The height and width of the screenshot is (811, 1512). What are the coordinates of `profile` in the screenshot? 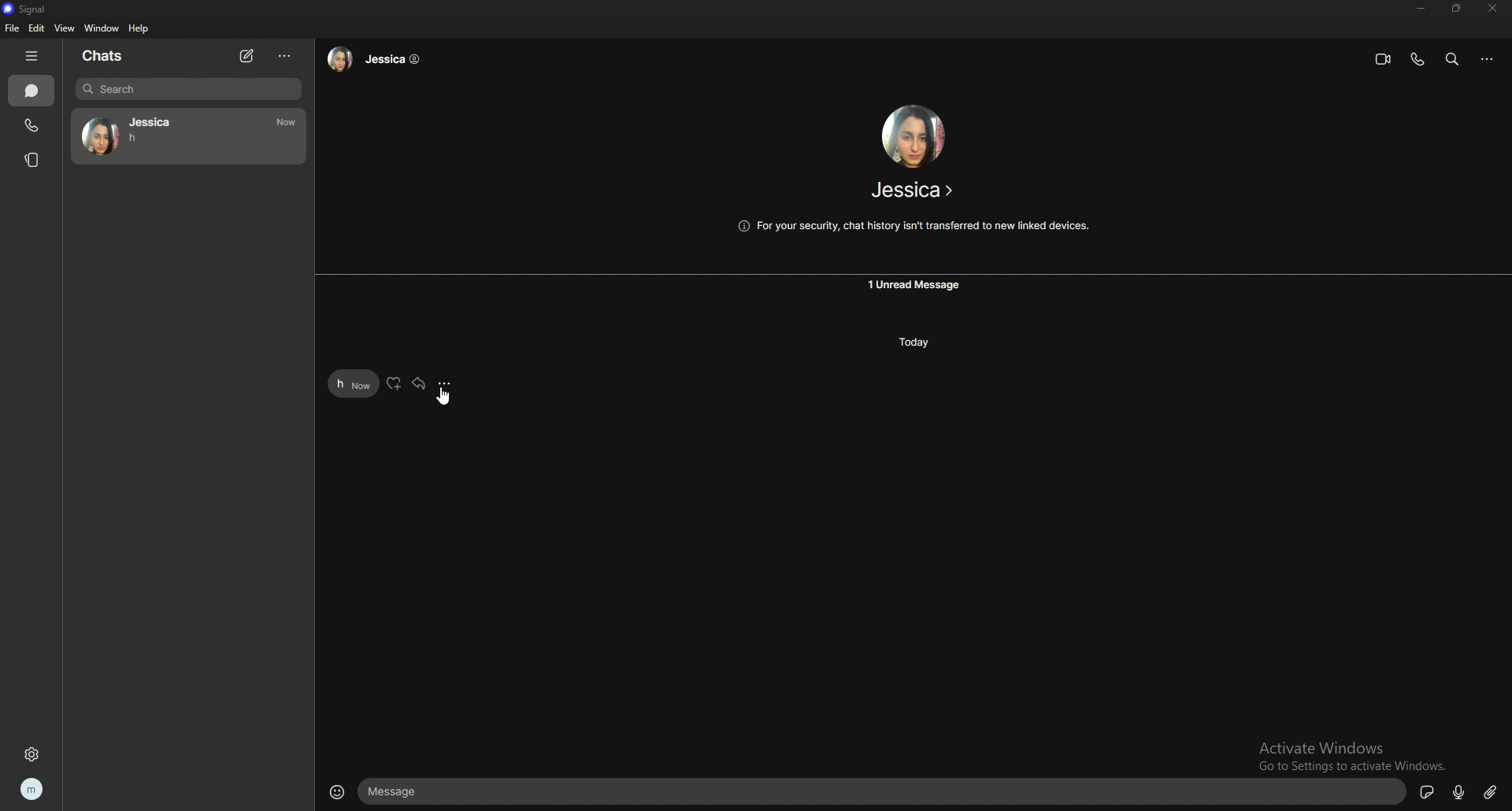 It's located at (32, 790).